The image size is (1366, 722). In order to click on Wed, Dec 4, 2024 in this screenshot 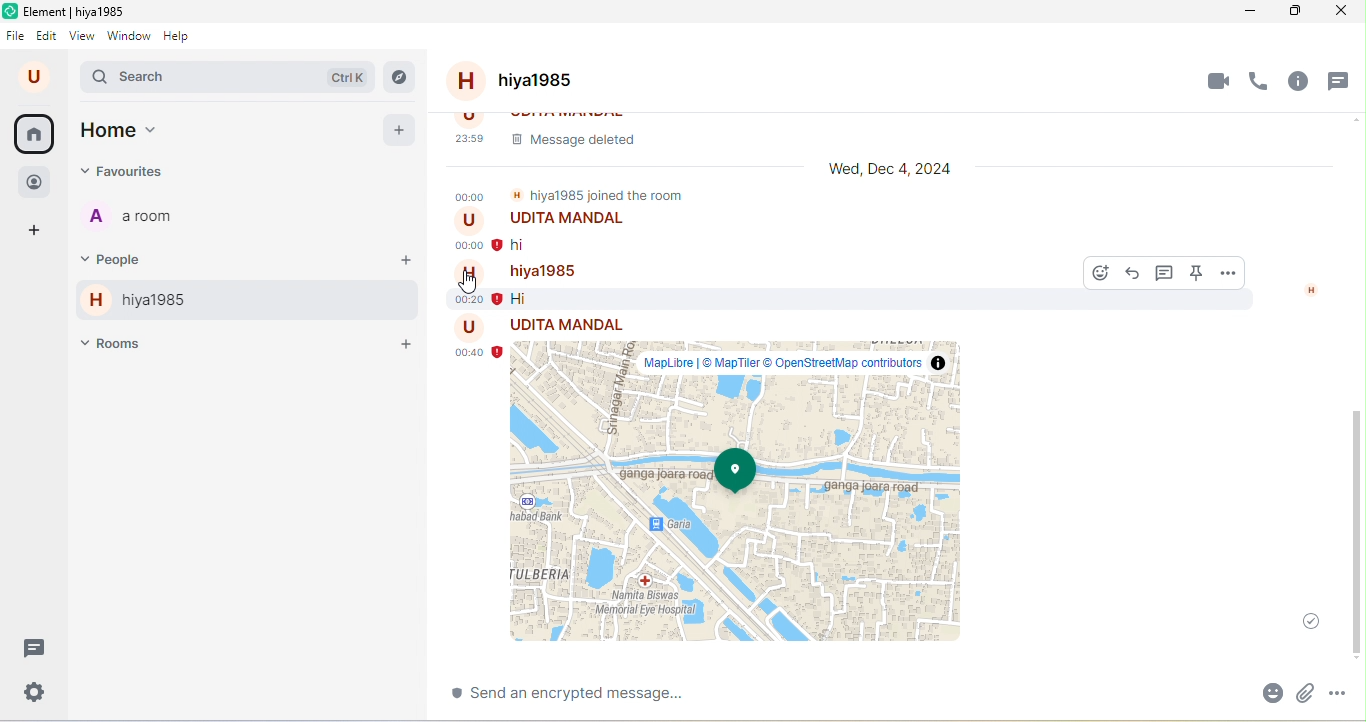, I will do `click(879, 171)`.